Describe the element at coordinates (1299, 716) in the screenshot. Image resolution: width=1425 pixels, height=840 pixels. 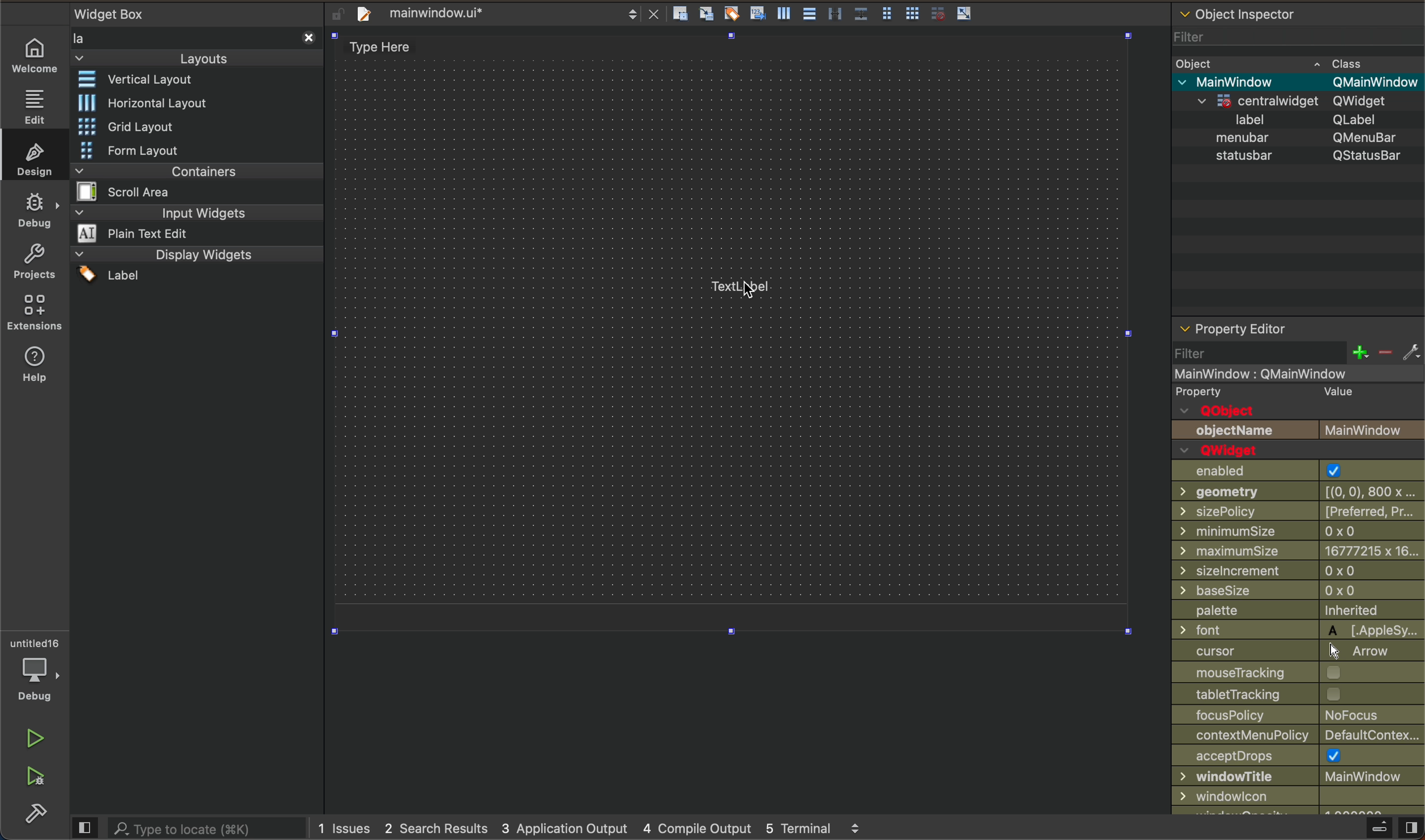
I see `focus policy` at that location.